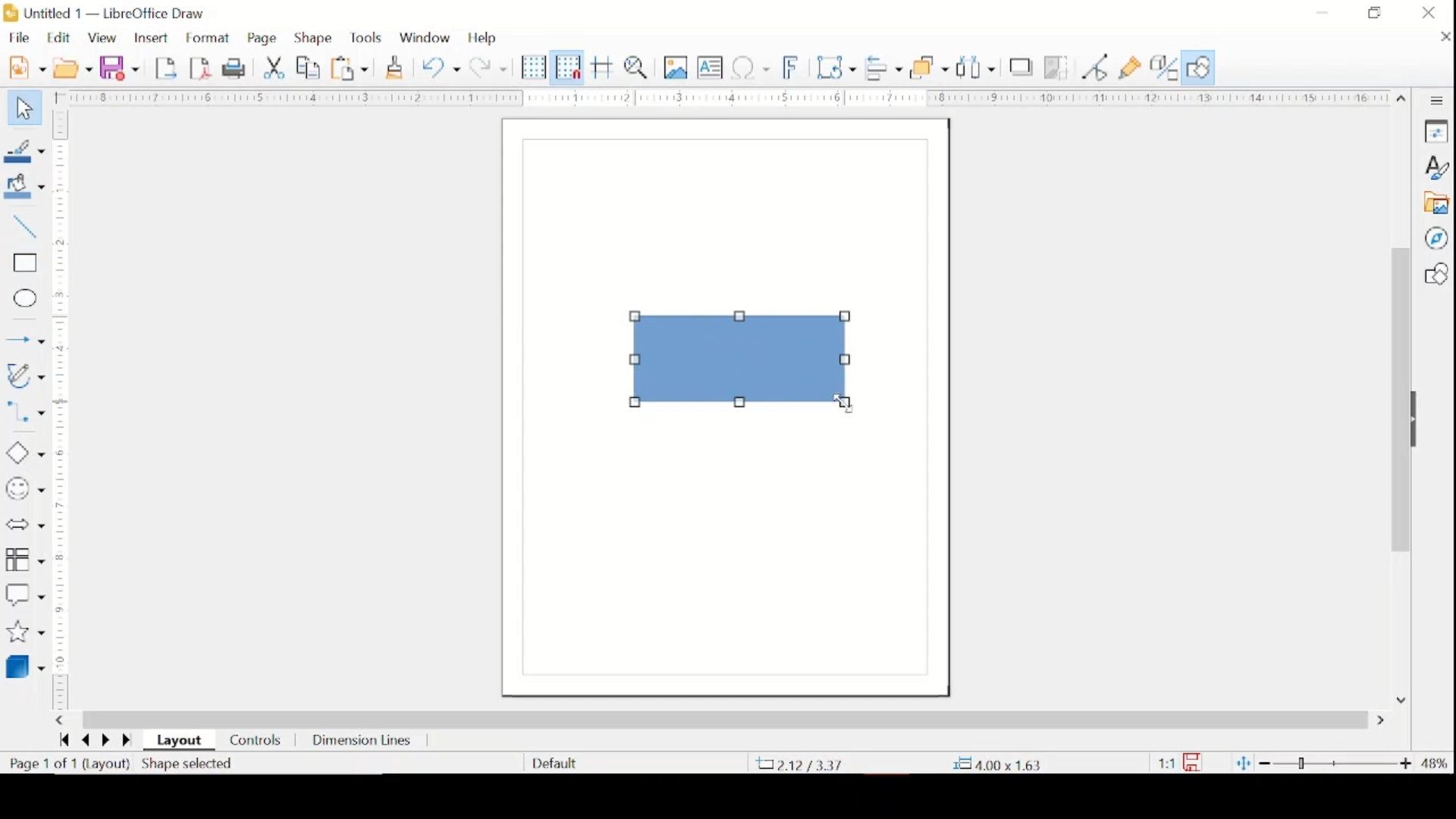 The width and height of the screenshot is (1456, 819). Describe the element at coordinates (64, 739) in the screenshot. I see `last` at that location.